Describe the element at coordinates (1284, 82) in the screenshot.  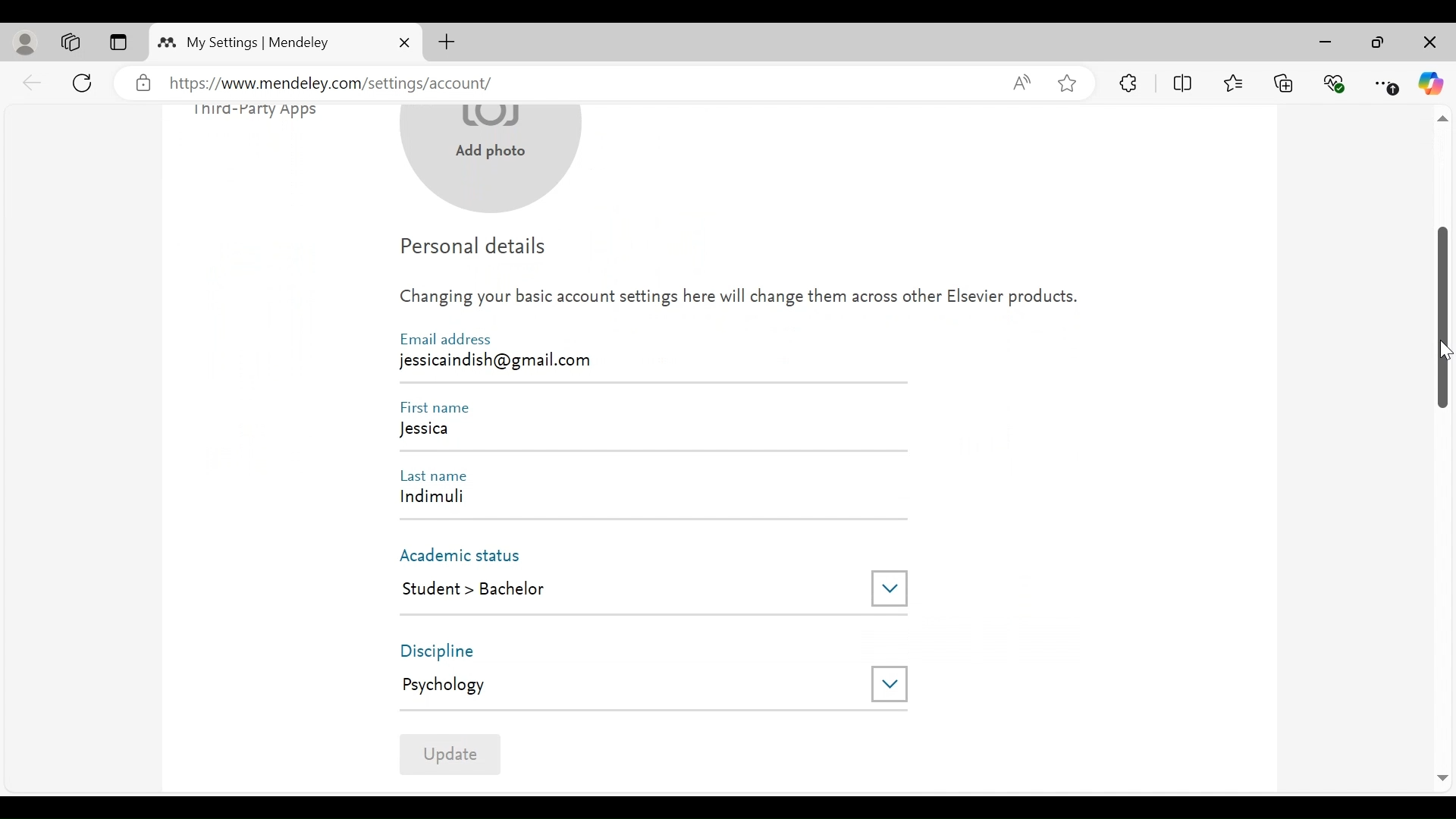
I see `Collections` at that location.